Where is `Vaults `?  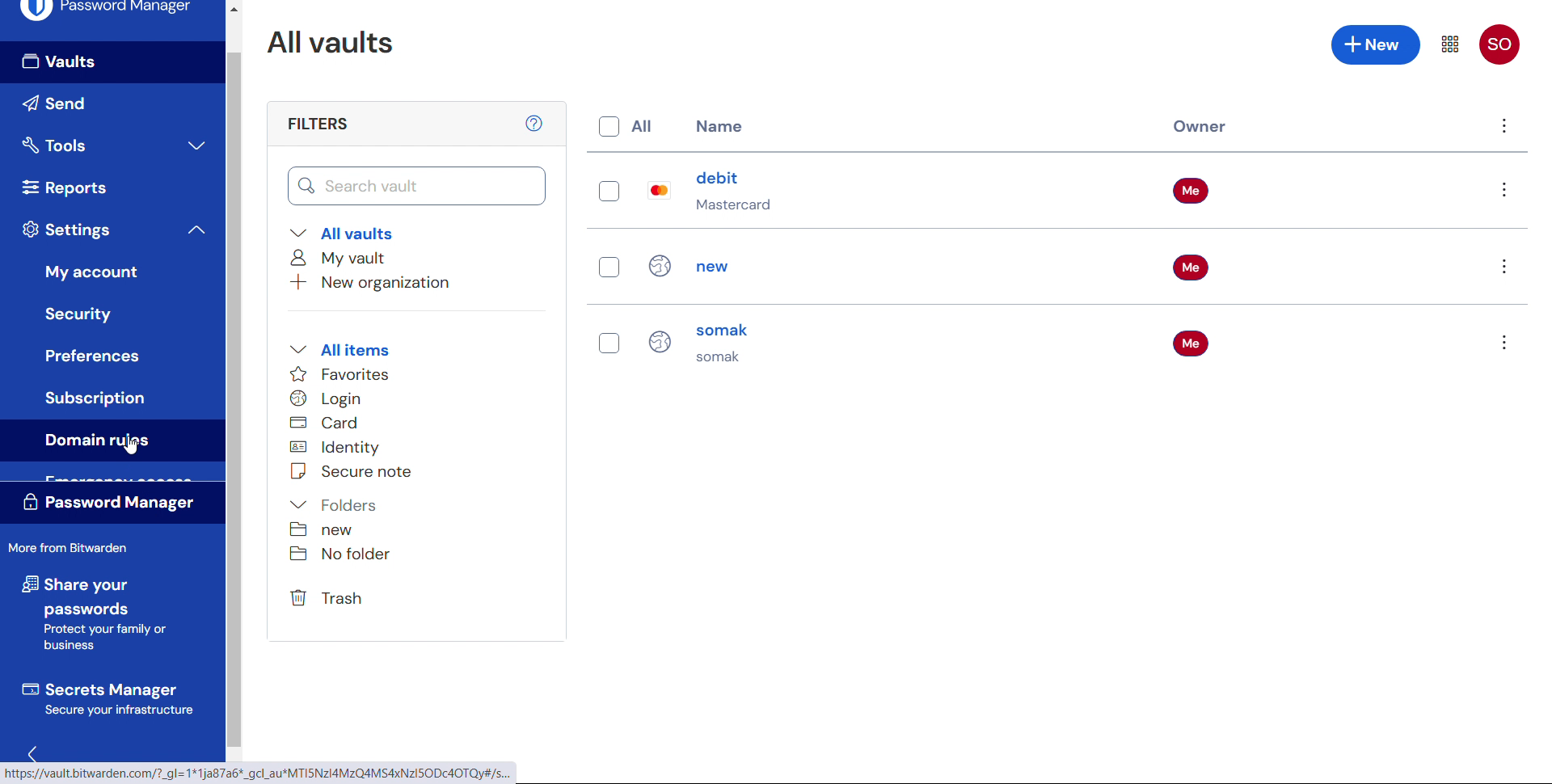 Vaults  is located at coordinates (108, 62).